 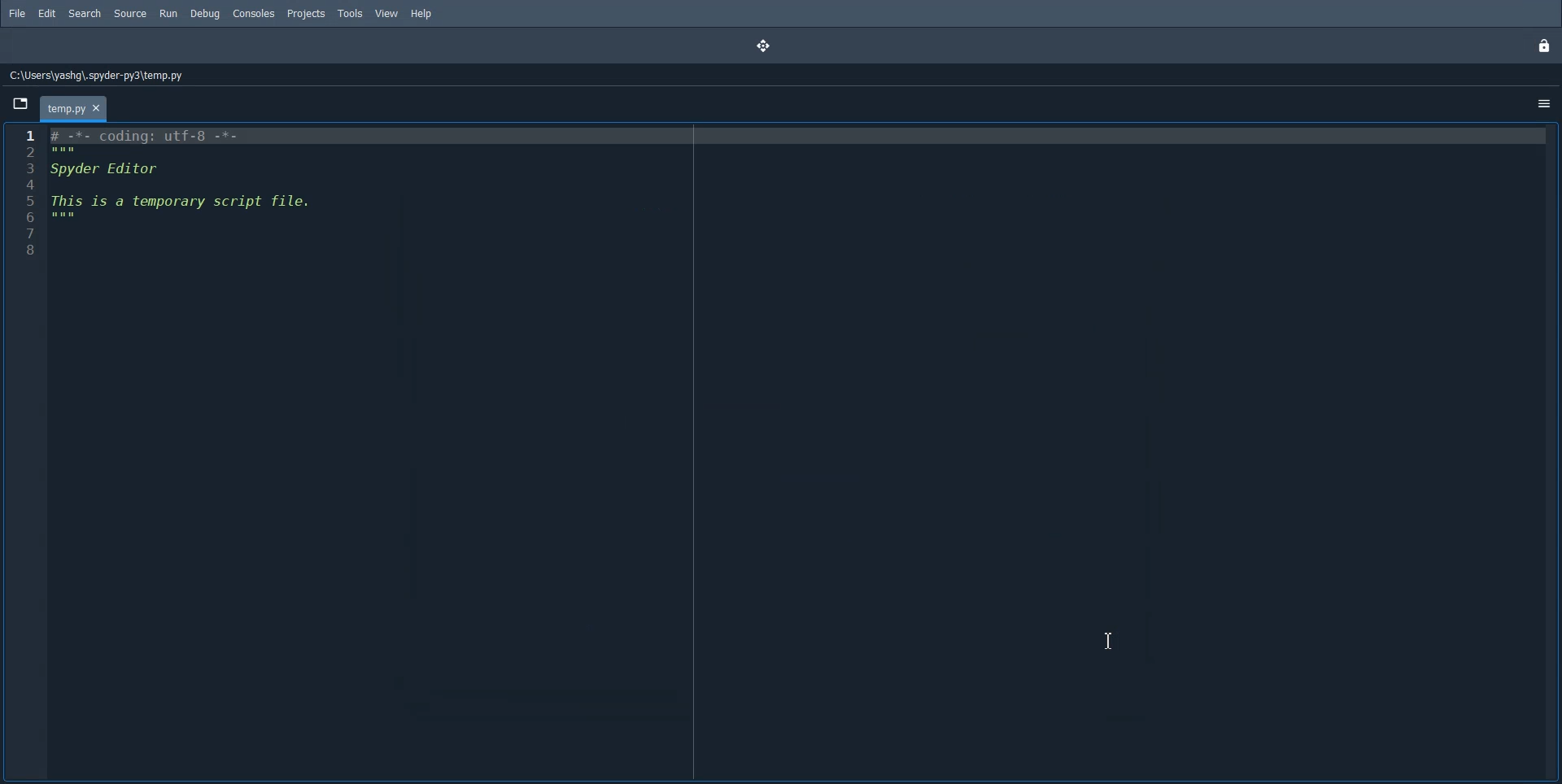 What do you see at coordinates (1110, 641) in the screenshot?
I see `Text Cursor` at bounding box center [1110, 641].